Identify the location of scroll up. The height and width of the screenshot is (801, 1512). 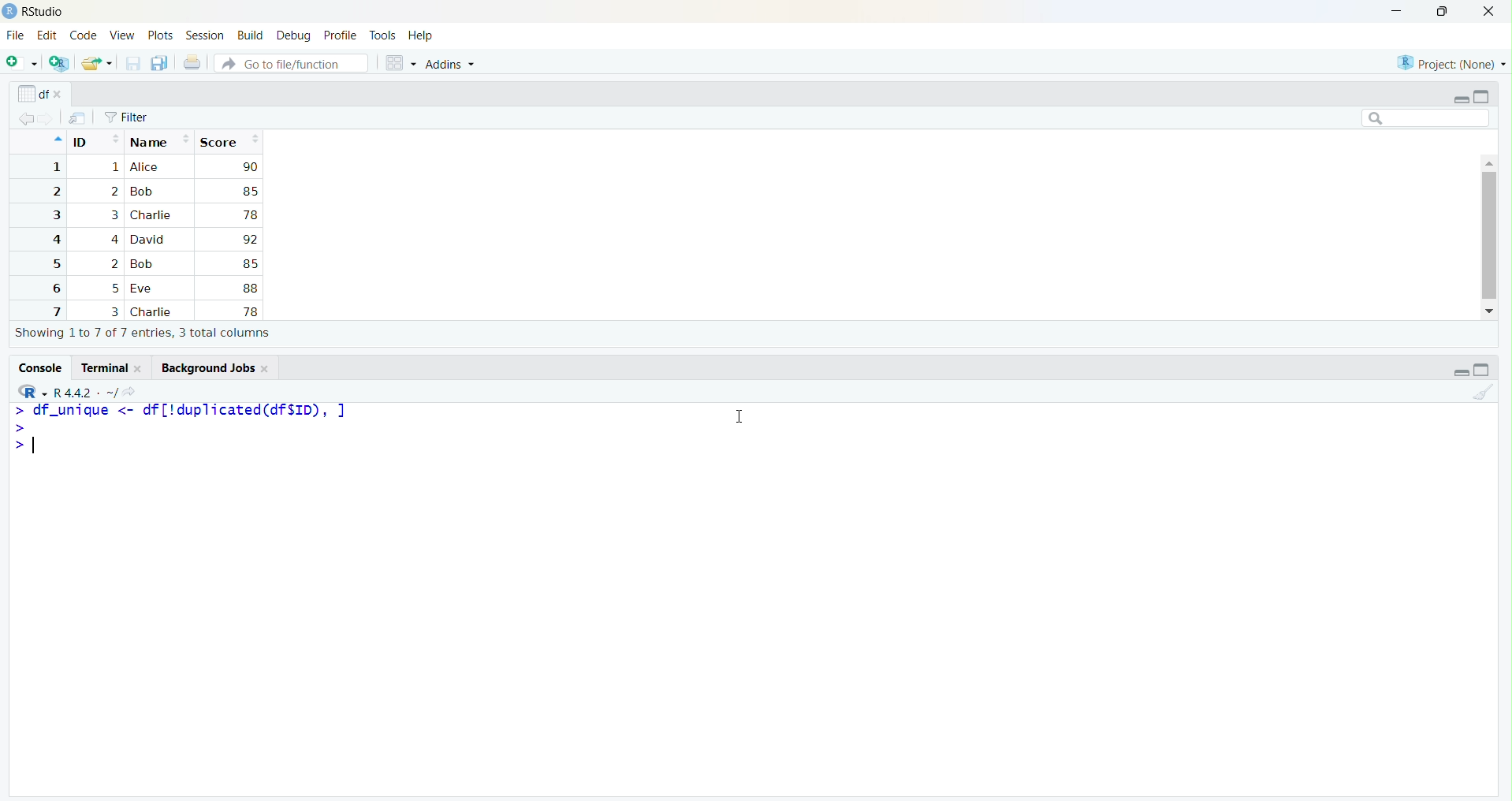
(1488, 162).